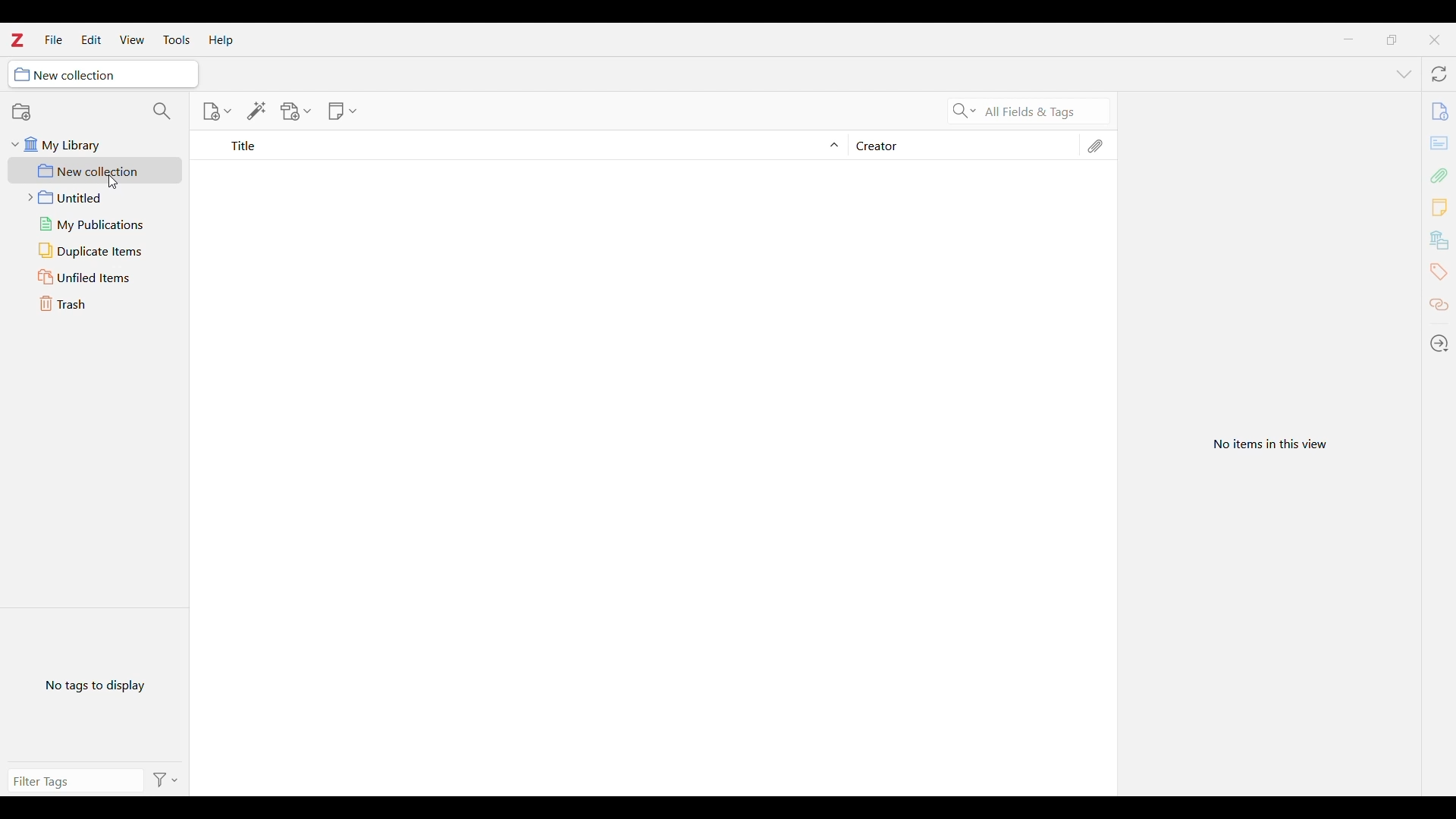  Describe the element at coordinates (96, 197) in the screenshot. I see `Untitled folder` at that location.